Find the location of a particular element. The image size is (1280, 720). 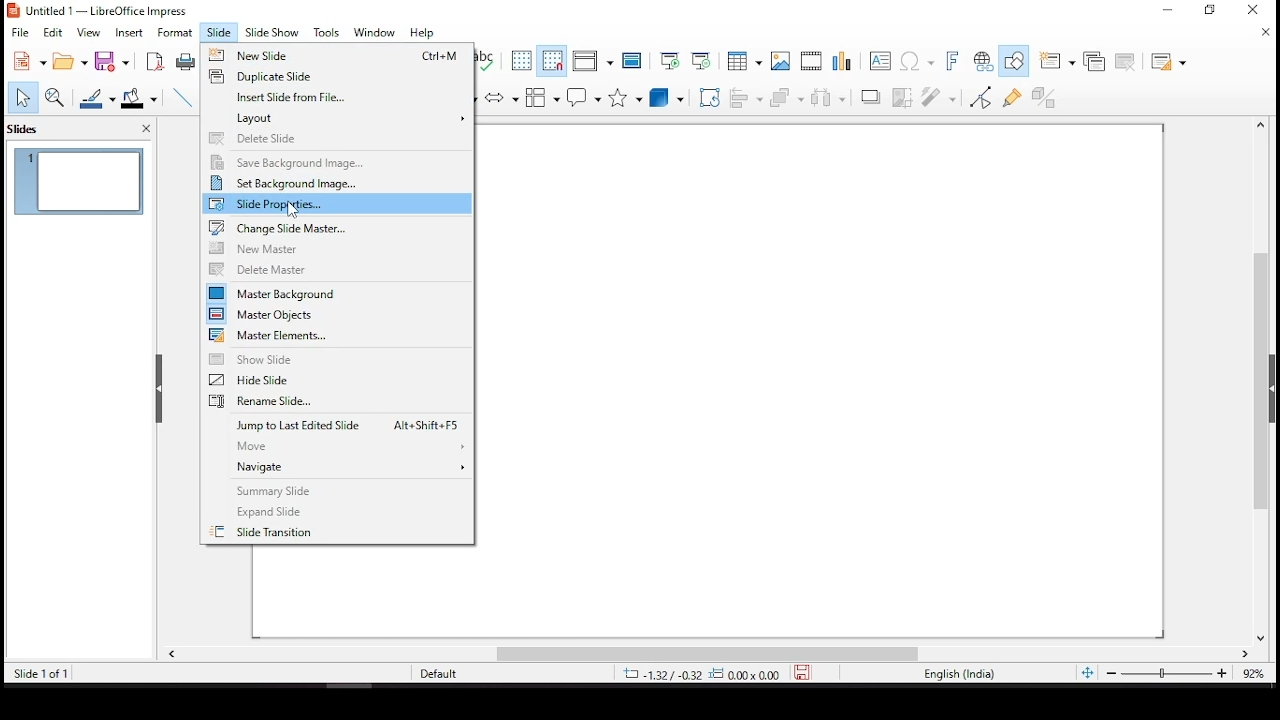

distribute is located at coordinates (827, 97).